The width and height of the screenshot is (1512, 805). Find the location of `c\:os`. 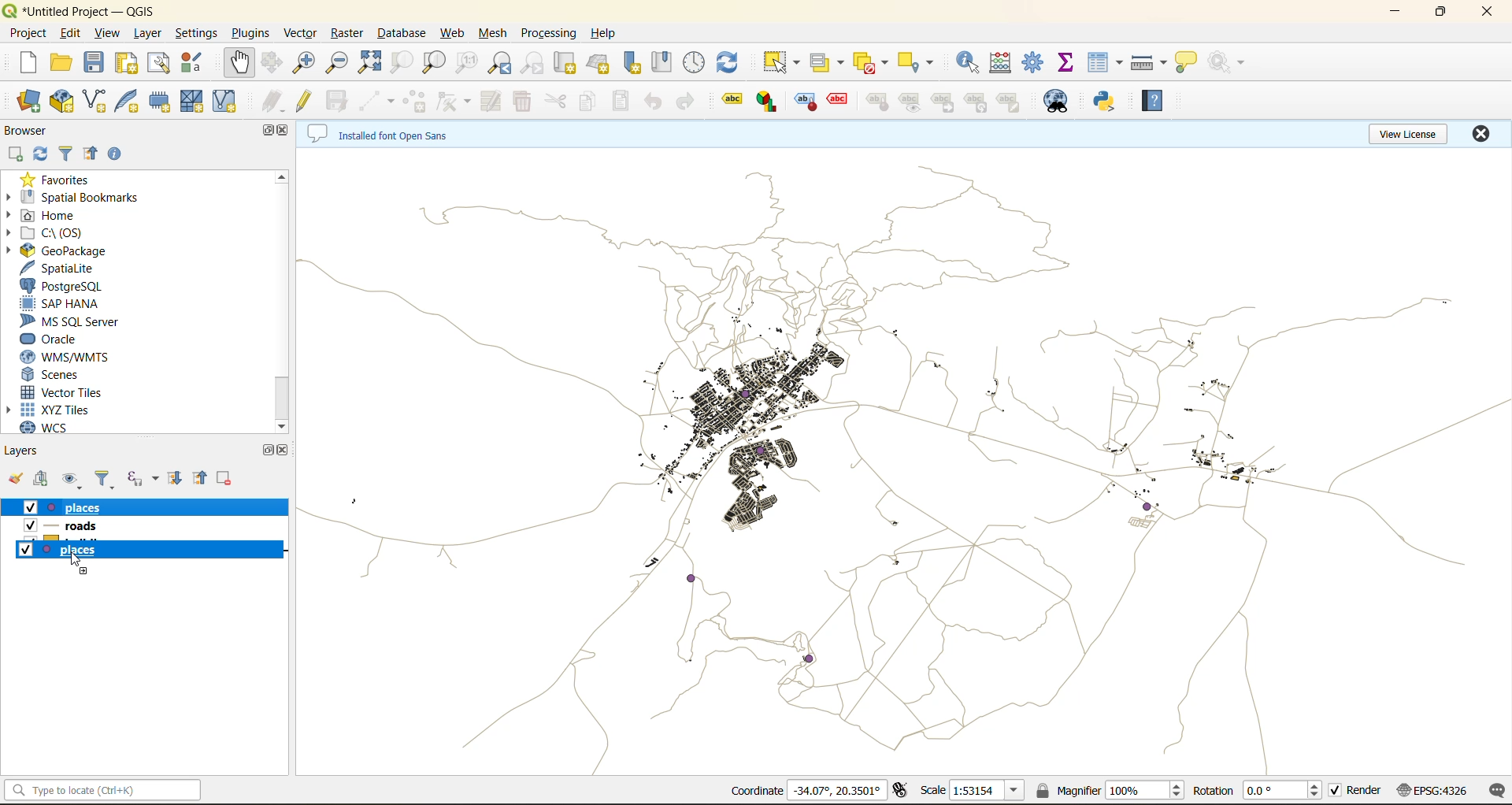

c\:os is located at coordinates (66, 231).